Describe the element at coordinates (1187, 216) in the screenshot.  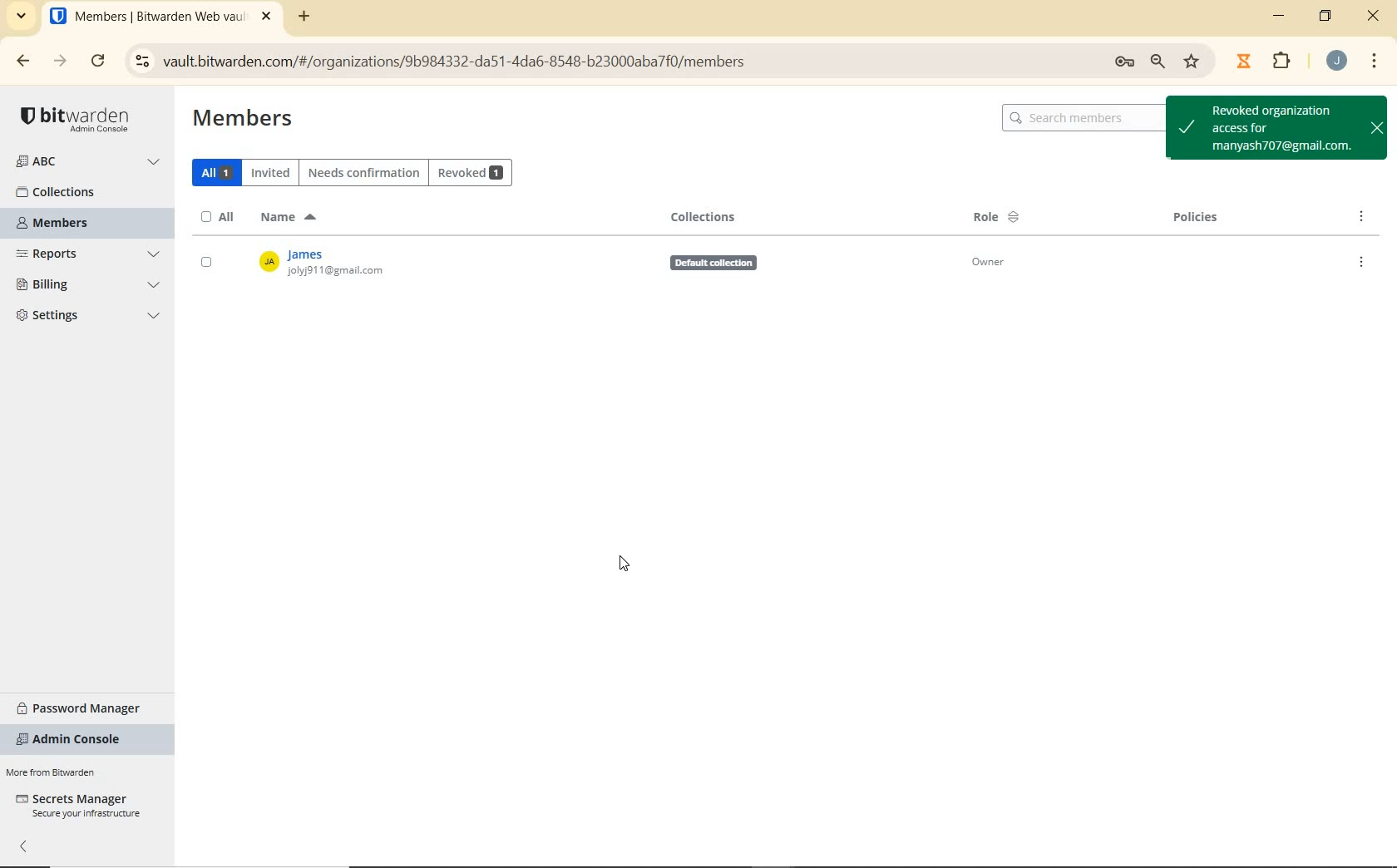
I see `Policies` at that location.